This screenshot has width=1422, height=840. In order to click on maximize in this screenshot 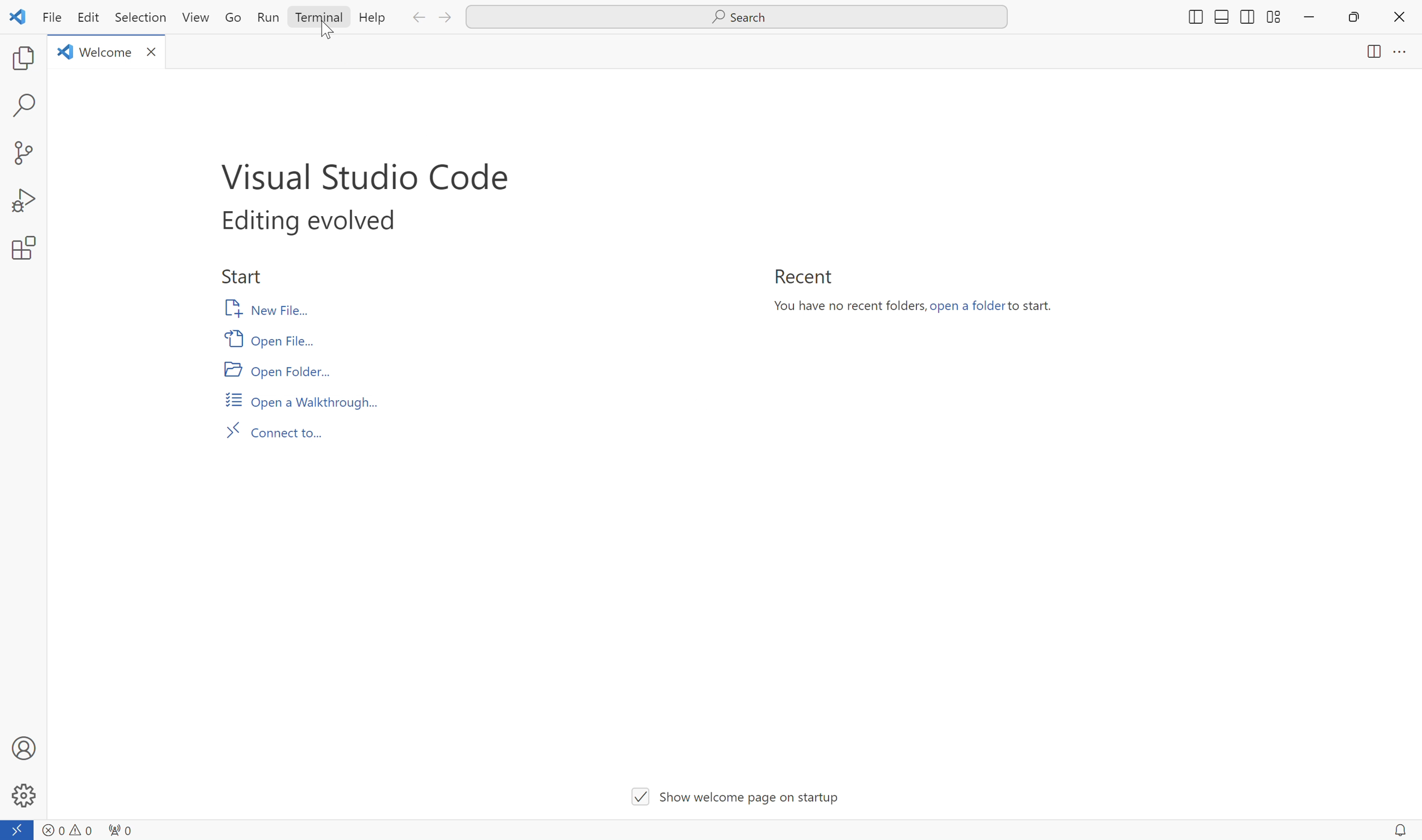, I will do `click(1356, 18)`.